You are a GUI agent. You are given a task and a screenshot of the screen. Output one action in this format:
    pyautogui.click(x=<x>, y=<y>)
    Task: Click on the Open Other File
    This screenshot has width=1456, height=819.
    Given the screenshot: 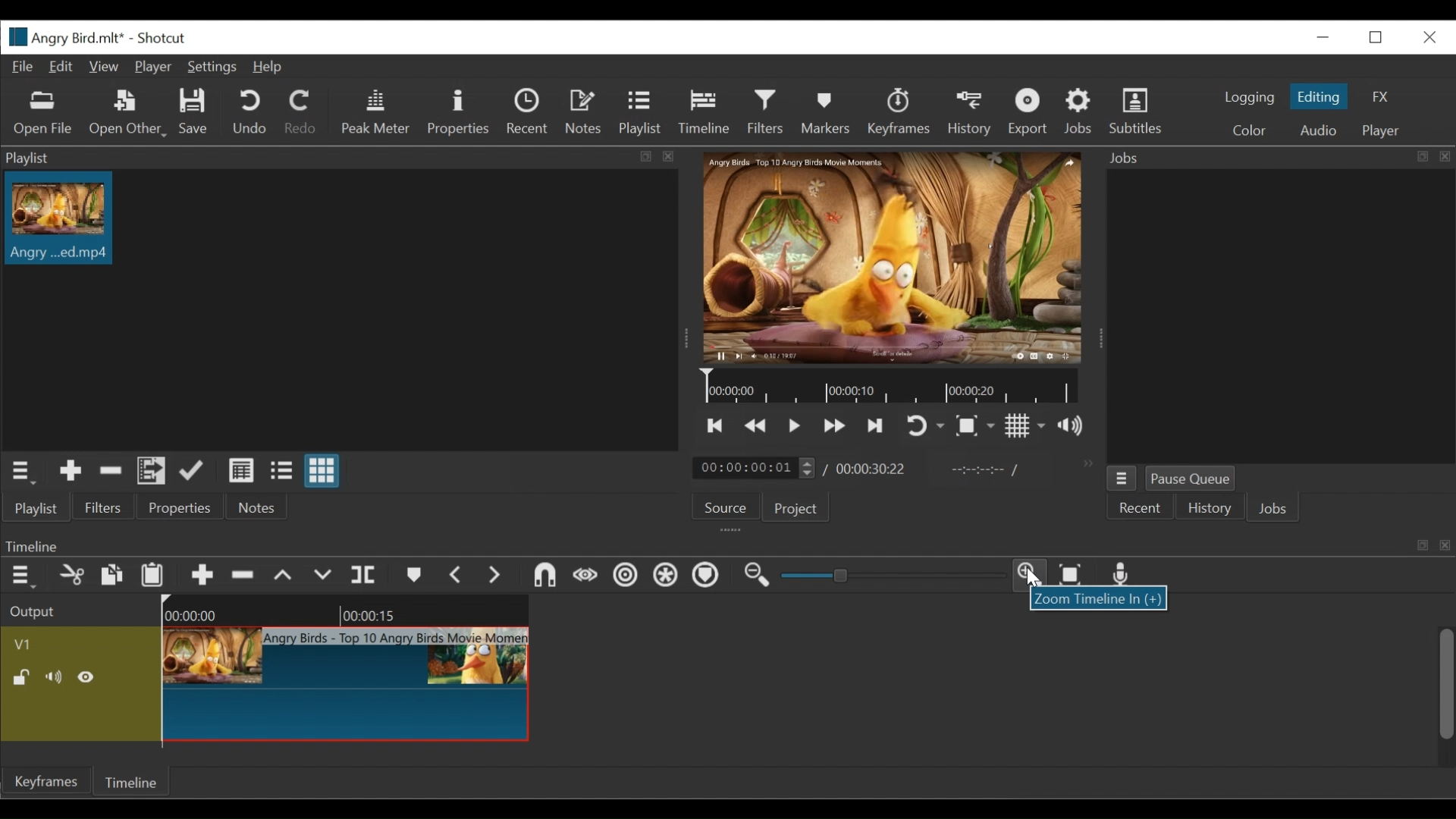 What is the action you would take?
    pyautogui.click(x=45, y=114)
    